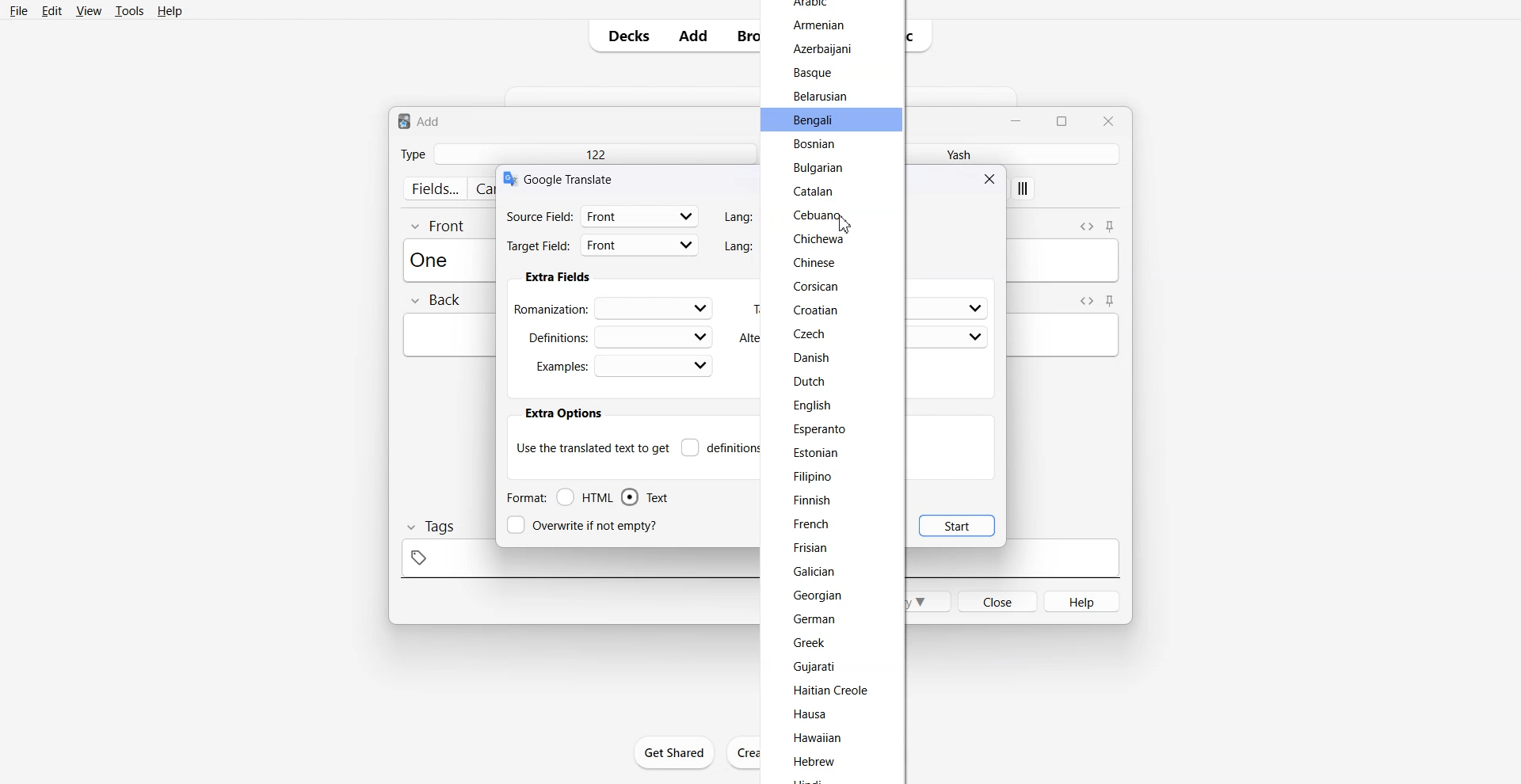 The width and height of the screenshot is (1521, 784). What do you see at coordinates (817, 191) in the screenshot?
I see `Catalan` at bounding box center [817, 191].